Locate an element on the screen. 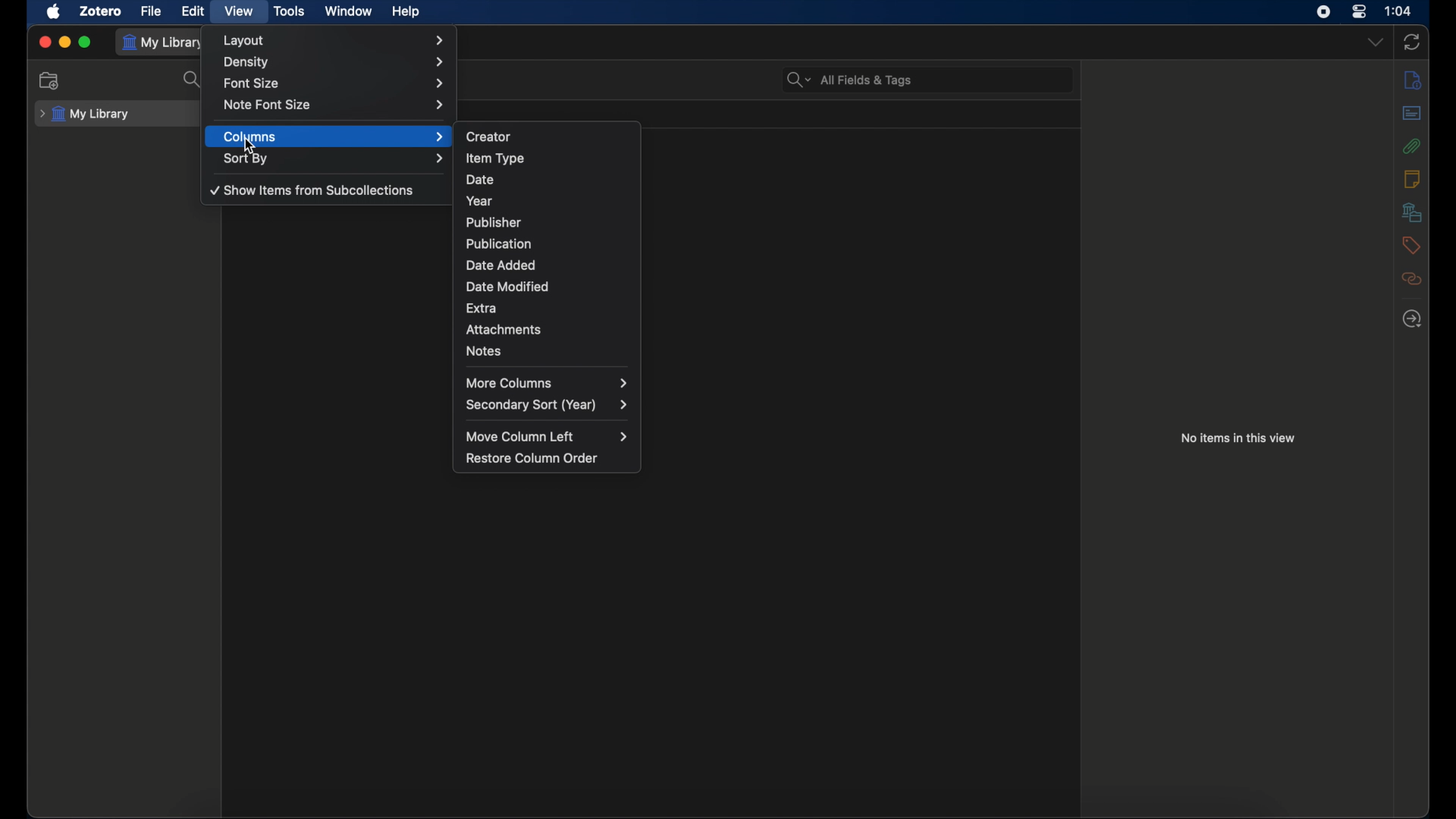  date added is located at coordinates (501, 265).